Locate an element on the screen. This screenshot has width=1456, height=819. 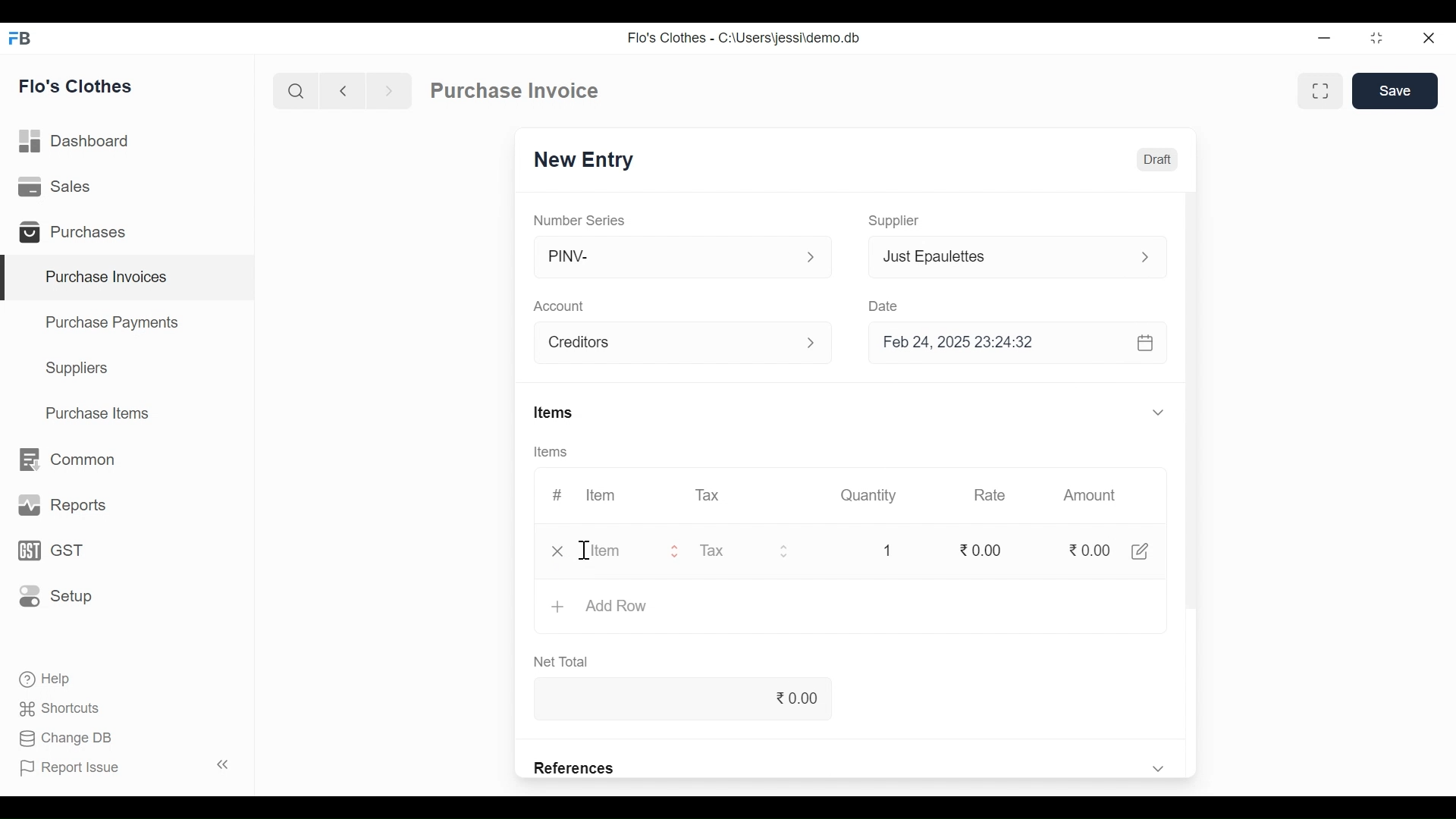
Items is located at coordinates (549, 452).